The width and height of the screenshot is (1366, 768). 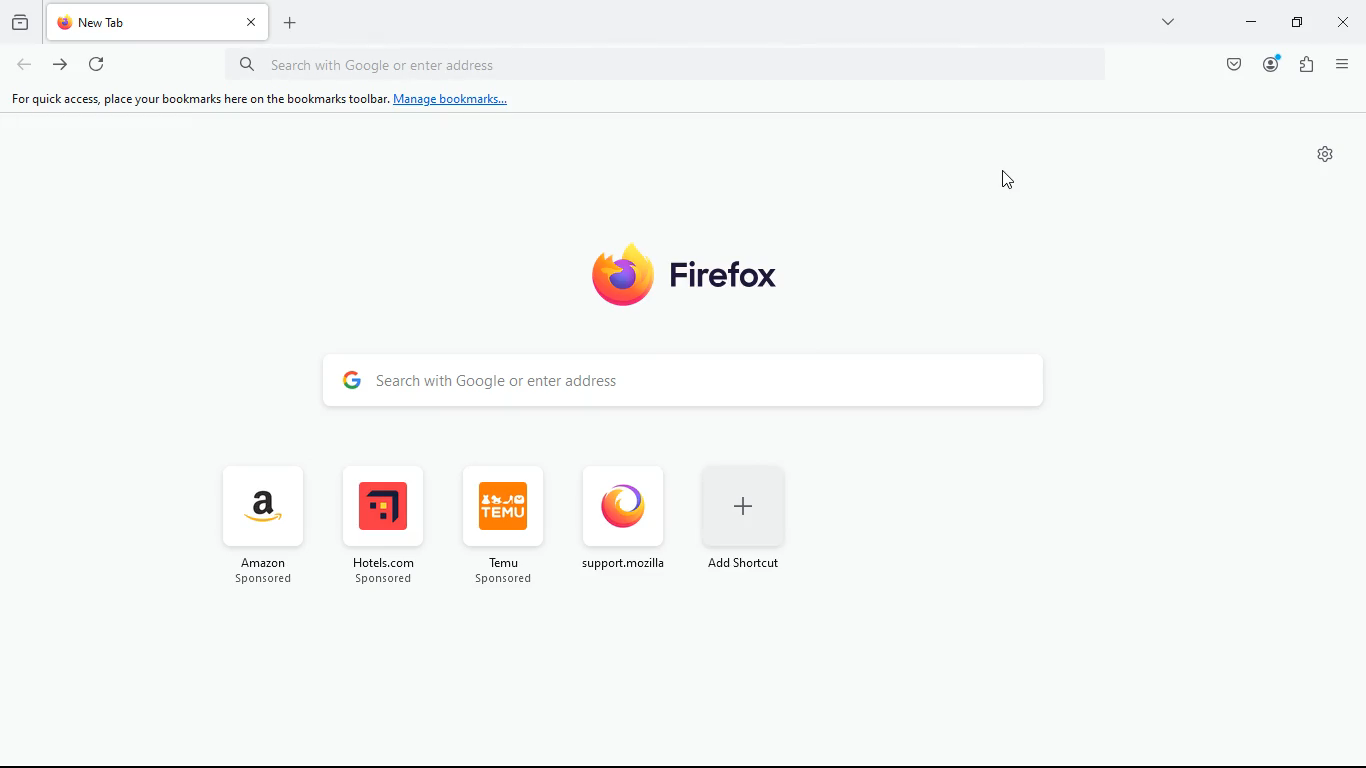 I want to click on extensions, so click(x=1303, y=64).